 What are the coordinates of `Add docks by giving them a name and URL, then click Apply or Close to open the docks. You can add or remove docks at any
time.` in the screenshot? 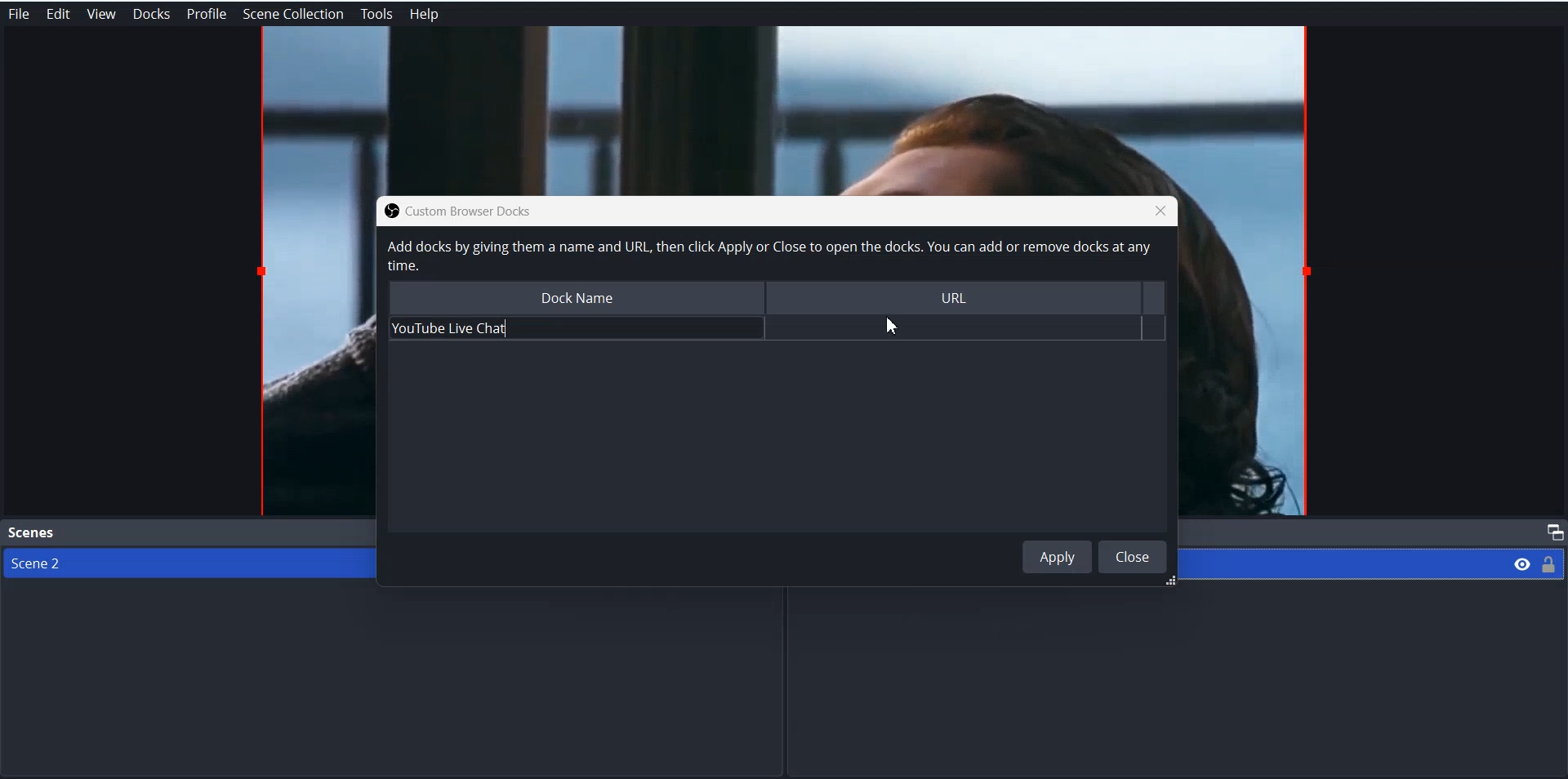 It's located at (767, 256).